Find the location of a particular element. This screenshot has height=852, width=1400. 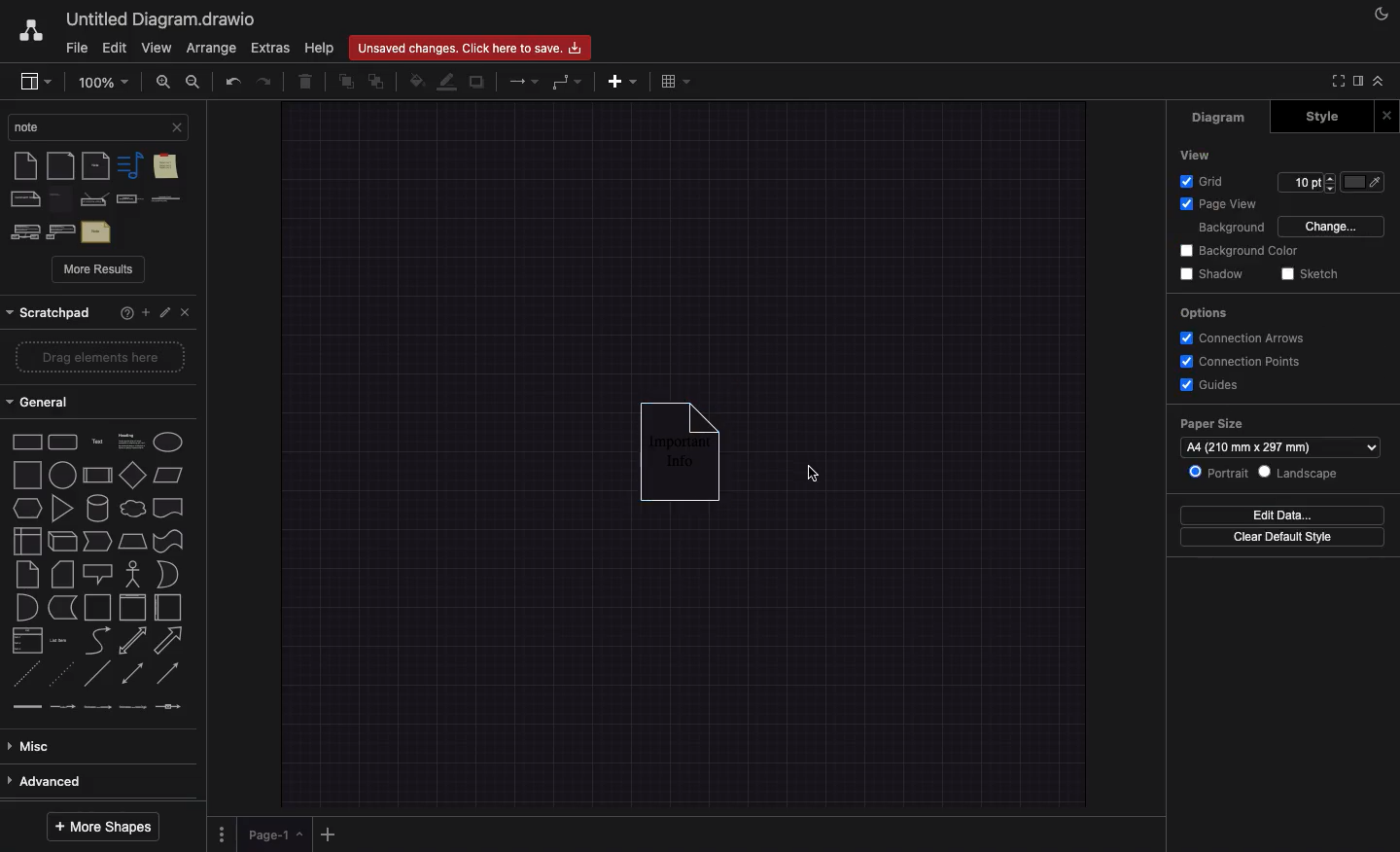

Options is located at coordinates (1203, 311).